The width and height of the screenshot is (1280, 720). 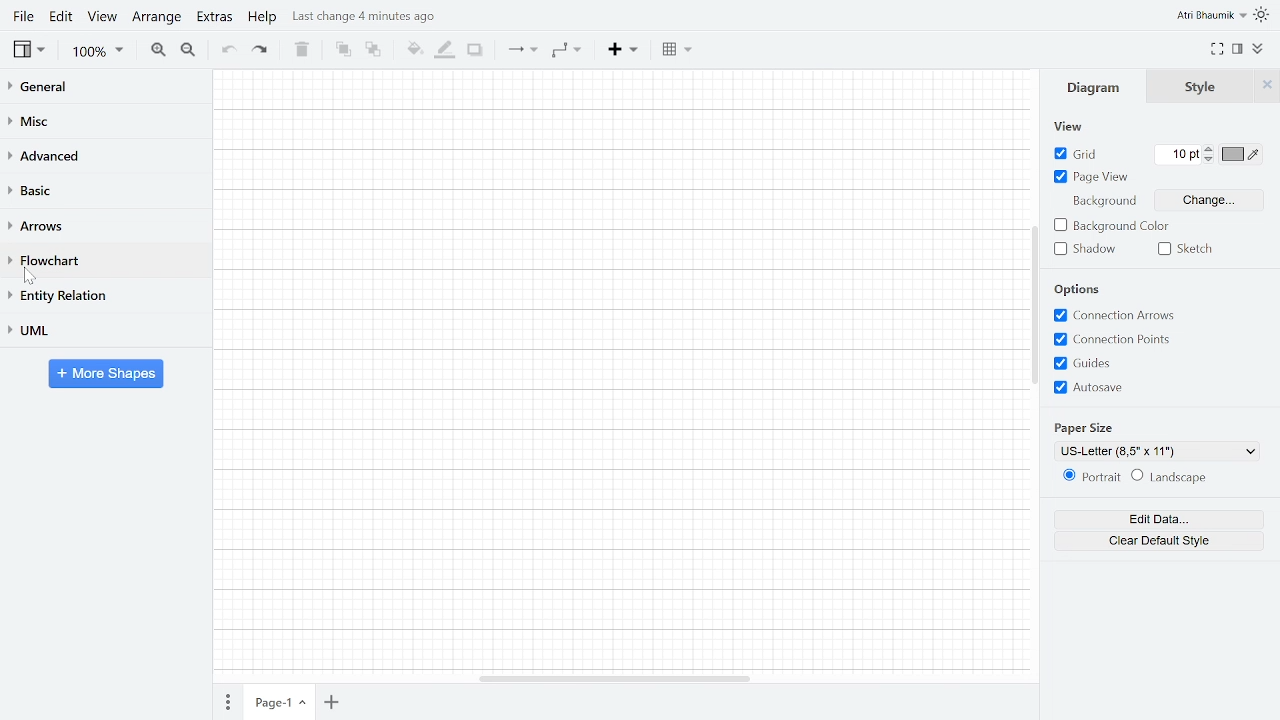 What do you see at coordinates (445, 50) in the screenshot?
I see `Fill line` at bounding box center [445, 50].